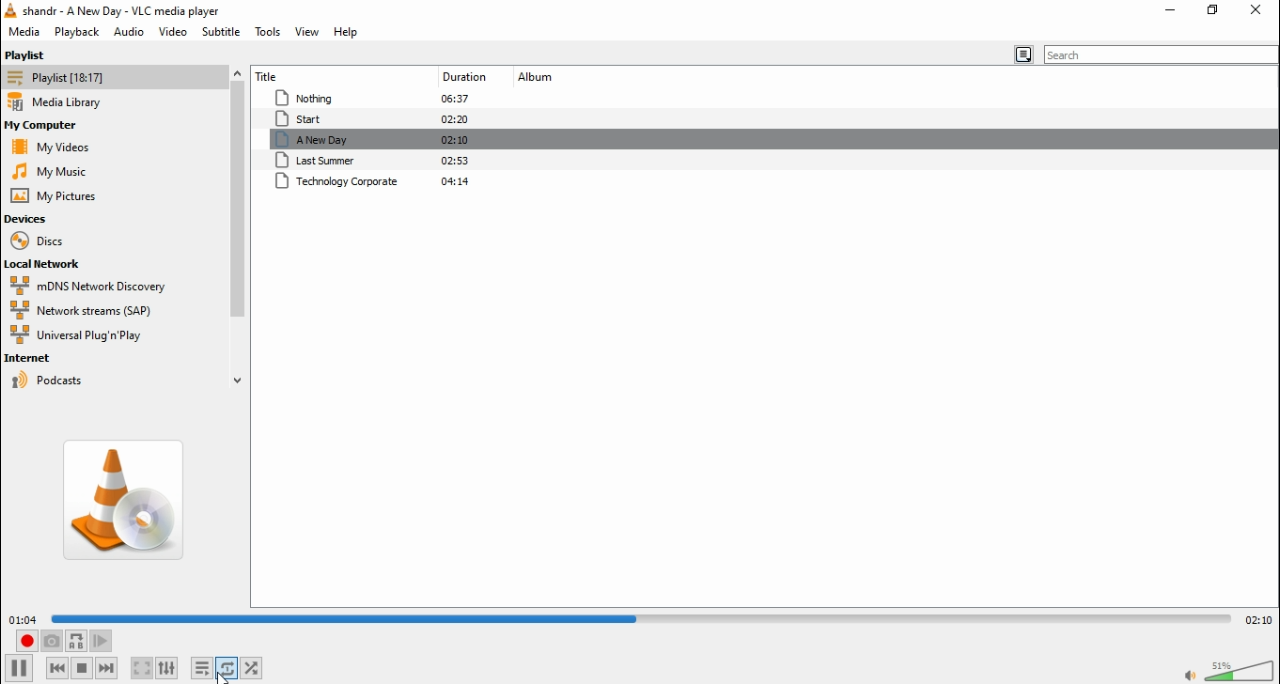 The height and width of the screenshot is (684, 1280). What do you see at coordinates (75, 336) in the screenshot?
I see `universal plug 'n play` at bounding box center [75, 336].